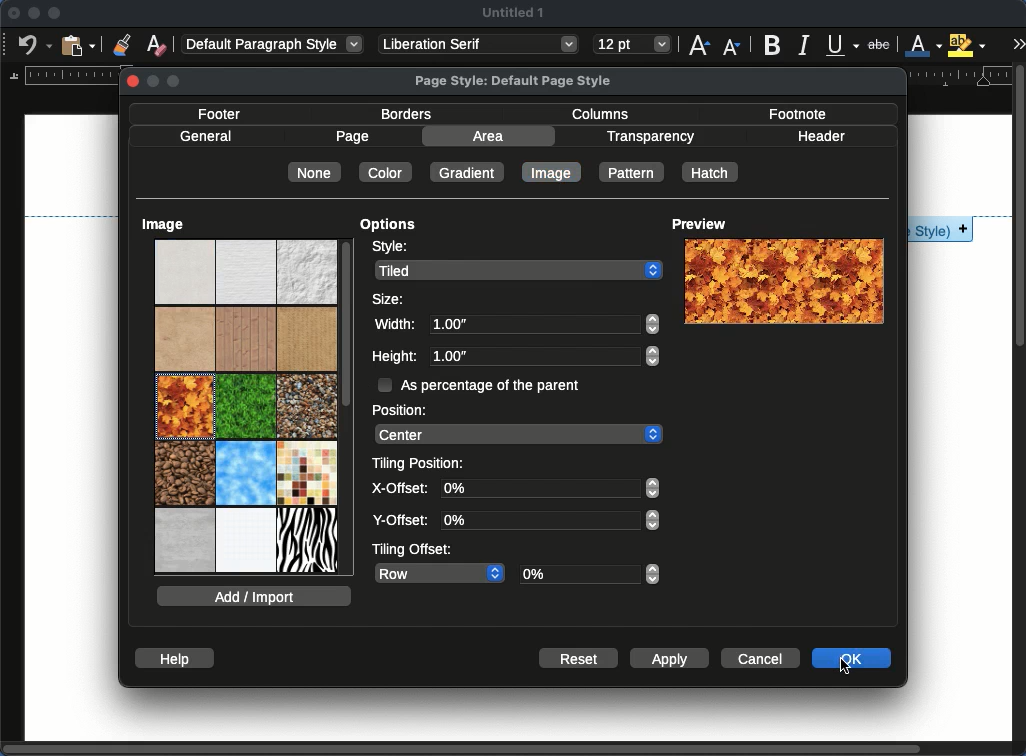 This screenshot has width=1026, height=756. I want to click on row, so click(440, 573).